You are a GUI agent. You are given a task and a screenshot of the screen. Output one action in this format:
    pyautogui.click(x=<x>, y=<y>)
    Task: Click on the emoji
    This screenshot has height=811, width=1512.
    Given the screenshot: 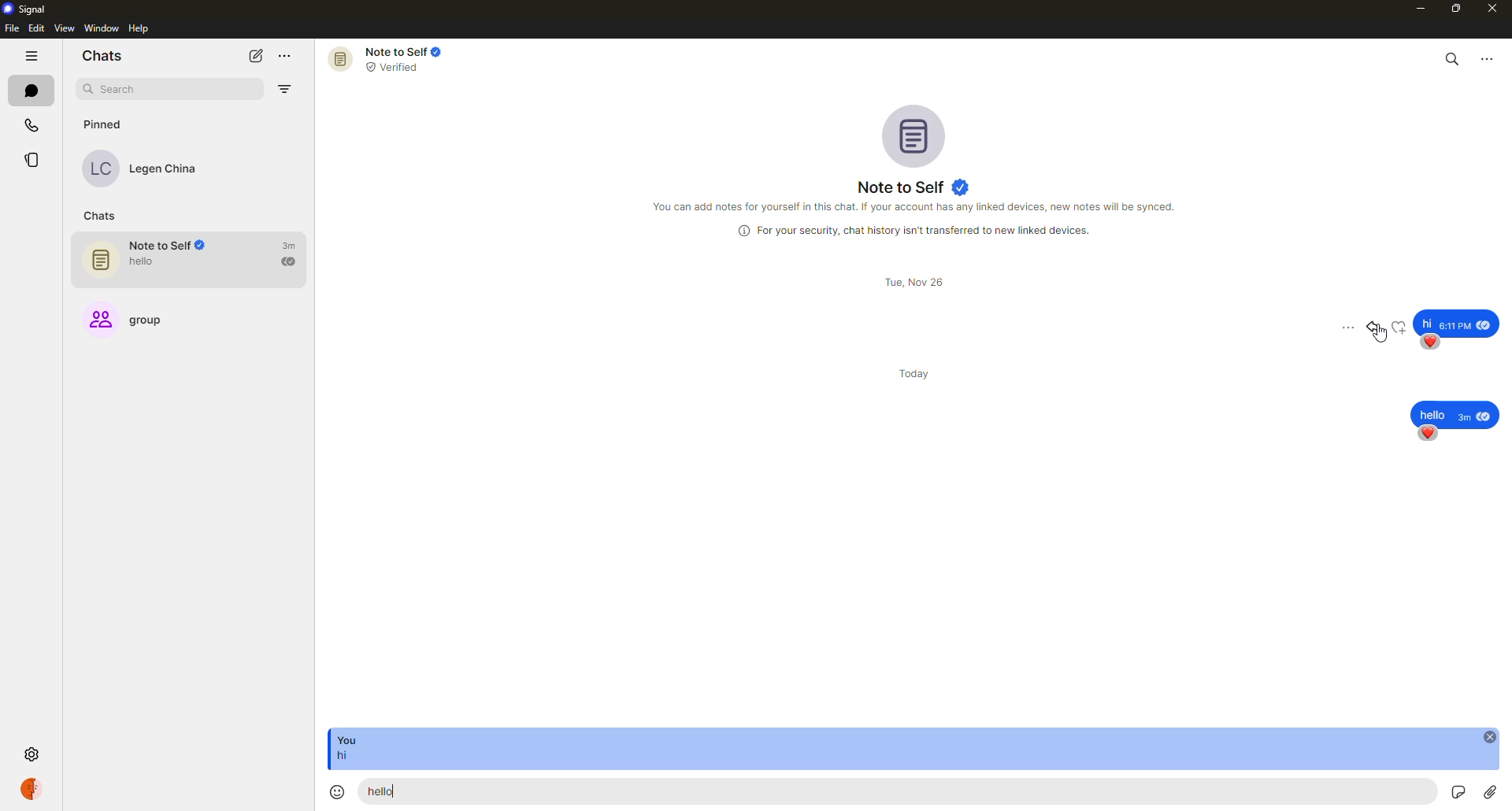 What is the action you would take?
    pyautogui.click(x=337, y=791)
    